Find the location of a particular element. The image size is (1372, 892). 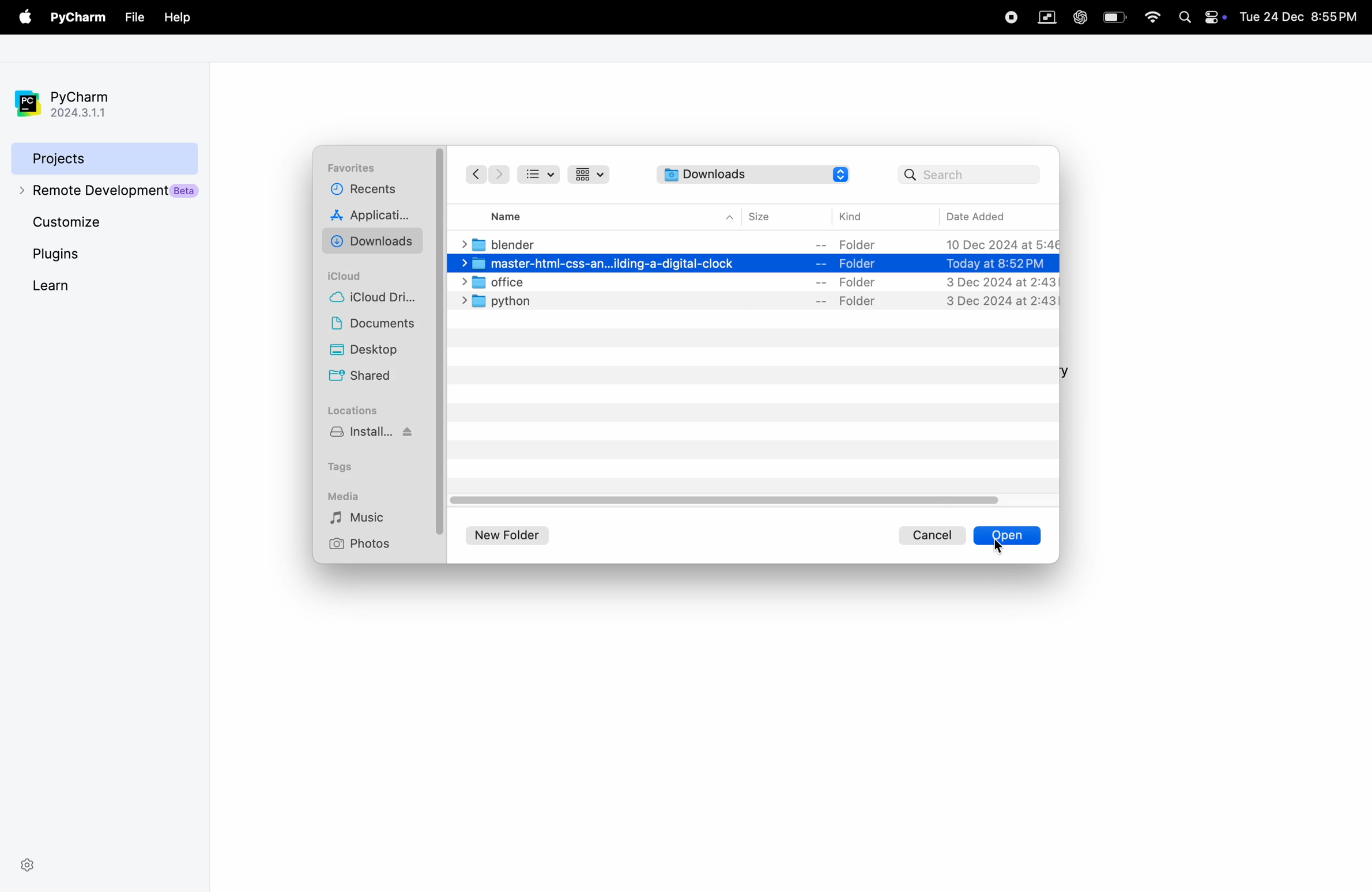

battery is located at coordinates (1114, 16).